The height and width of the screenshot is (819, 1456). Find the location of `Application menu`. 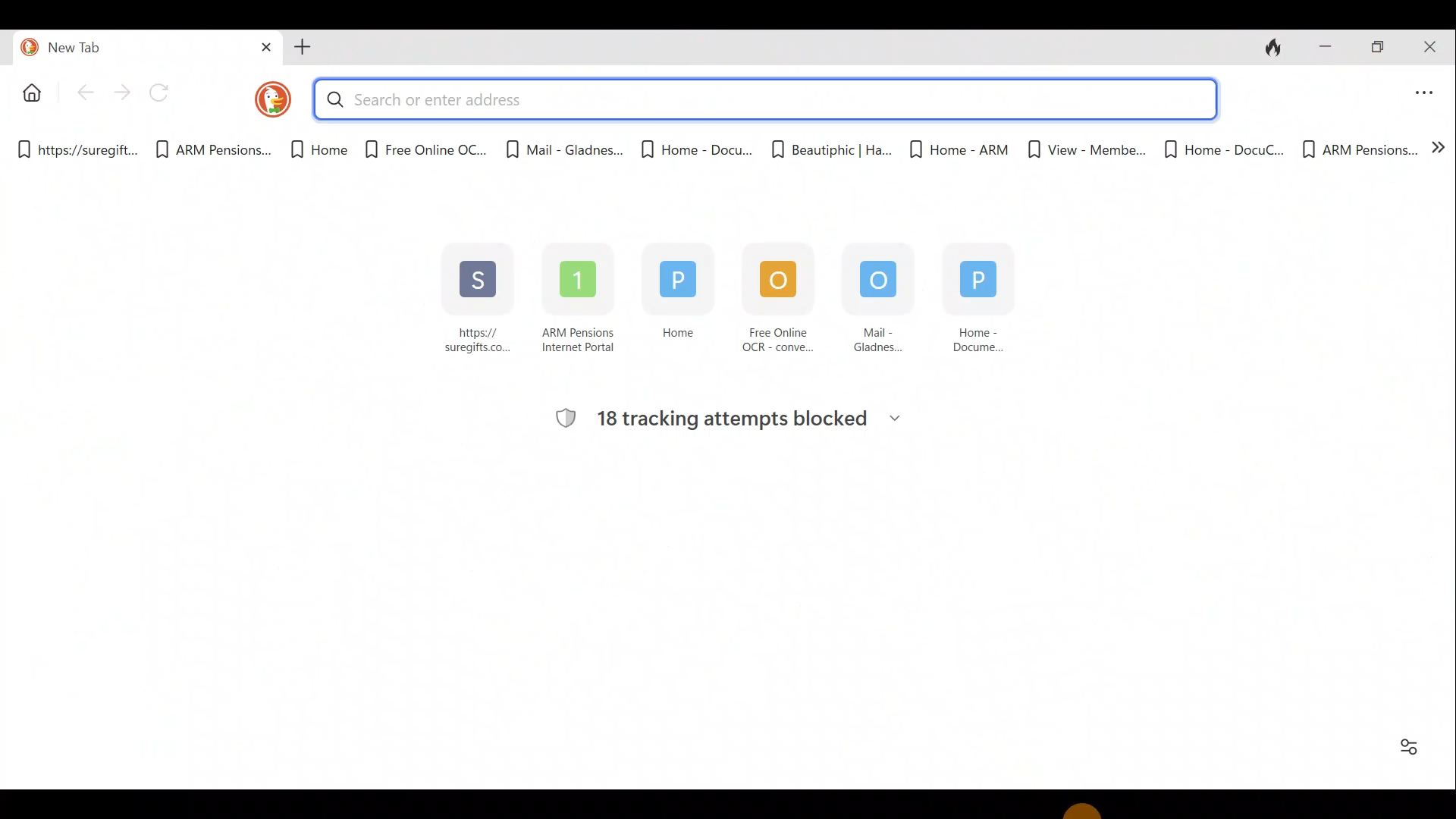

Application menu is located at coordinates (1426, 89).